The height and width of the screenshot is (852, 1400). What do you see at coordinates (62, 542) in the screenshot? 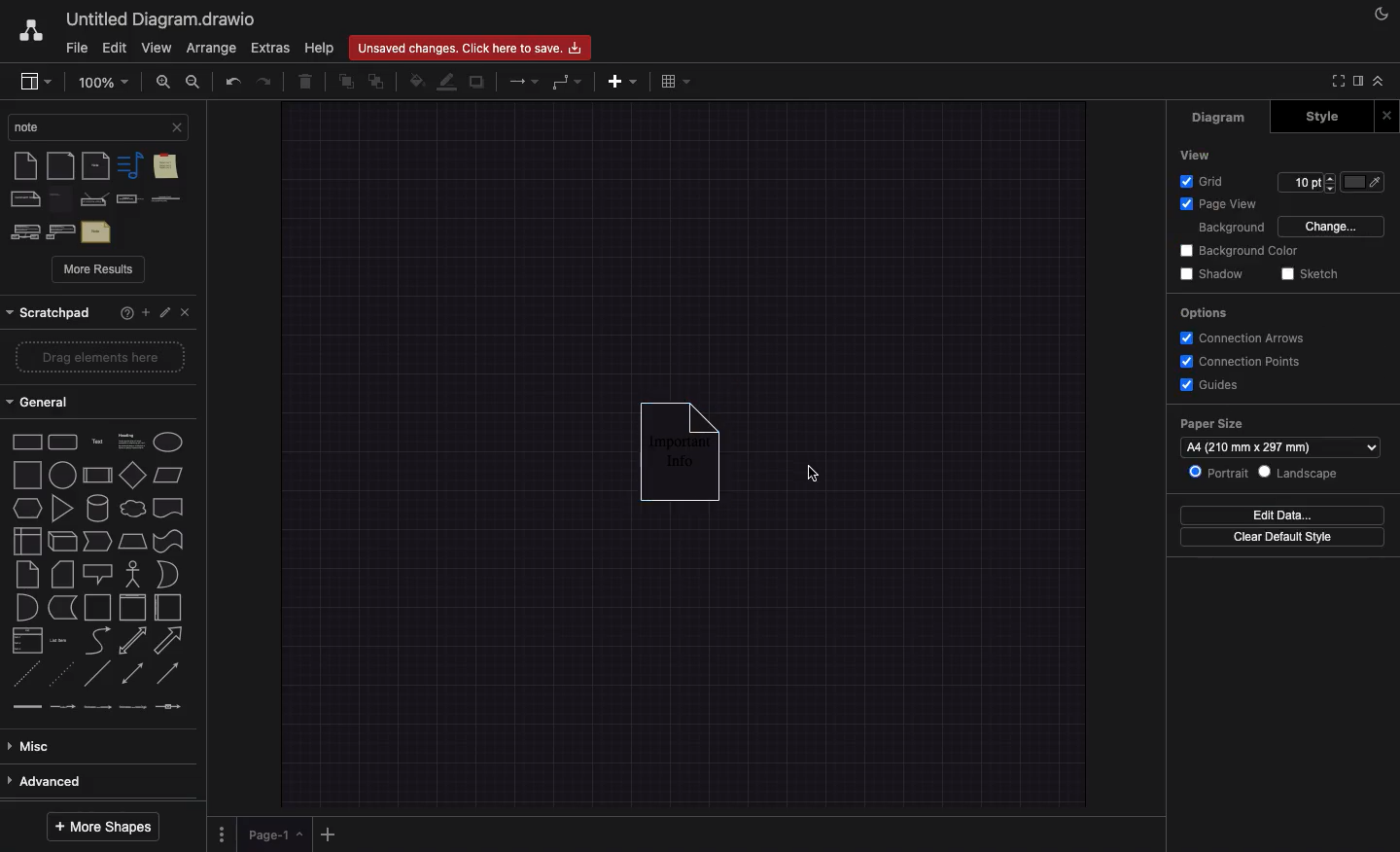
I see `cube` at bounding box center [62, 542].